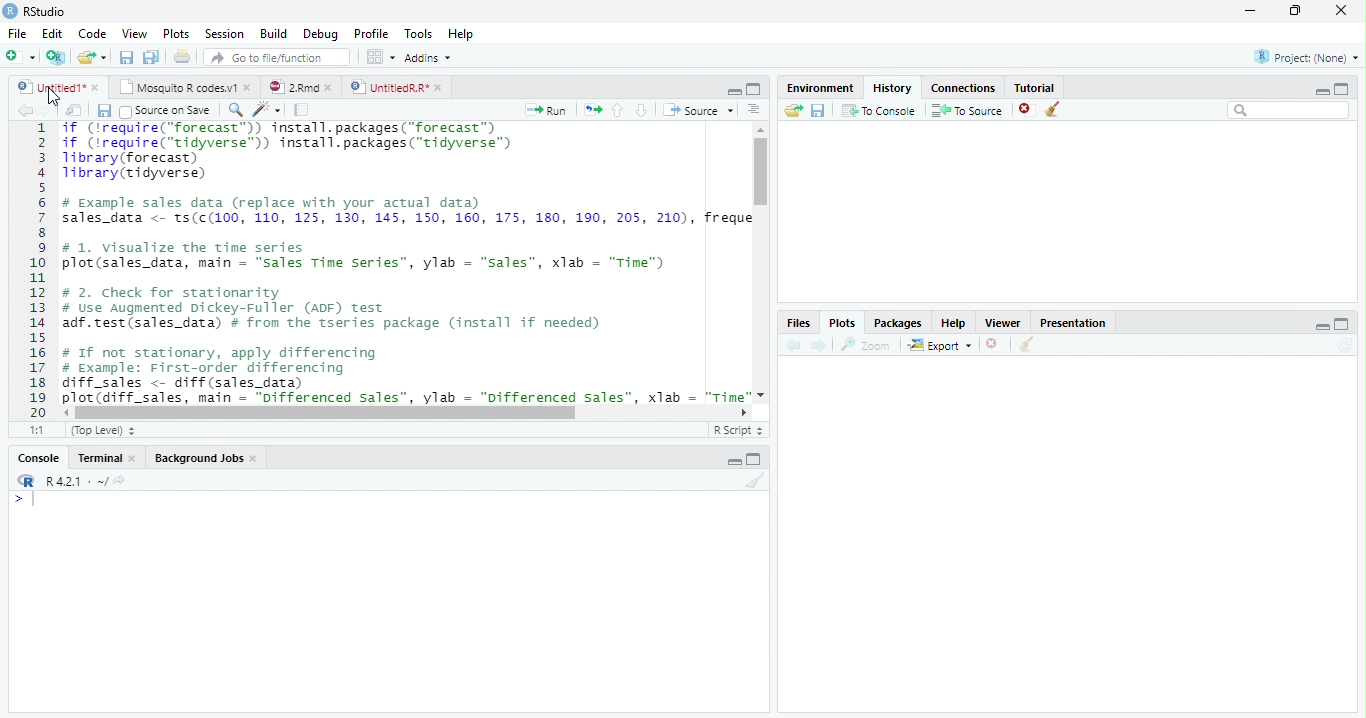 This screenshot has width=1366, height=718. What do you see at coordinates (591, 110) in the screenshot?
I see `Re-run` at bounding box center [591, 110].